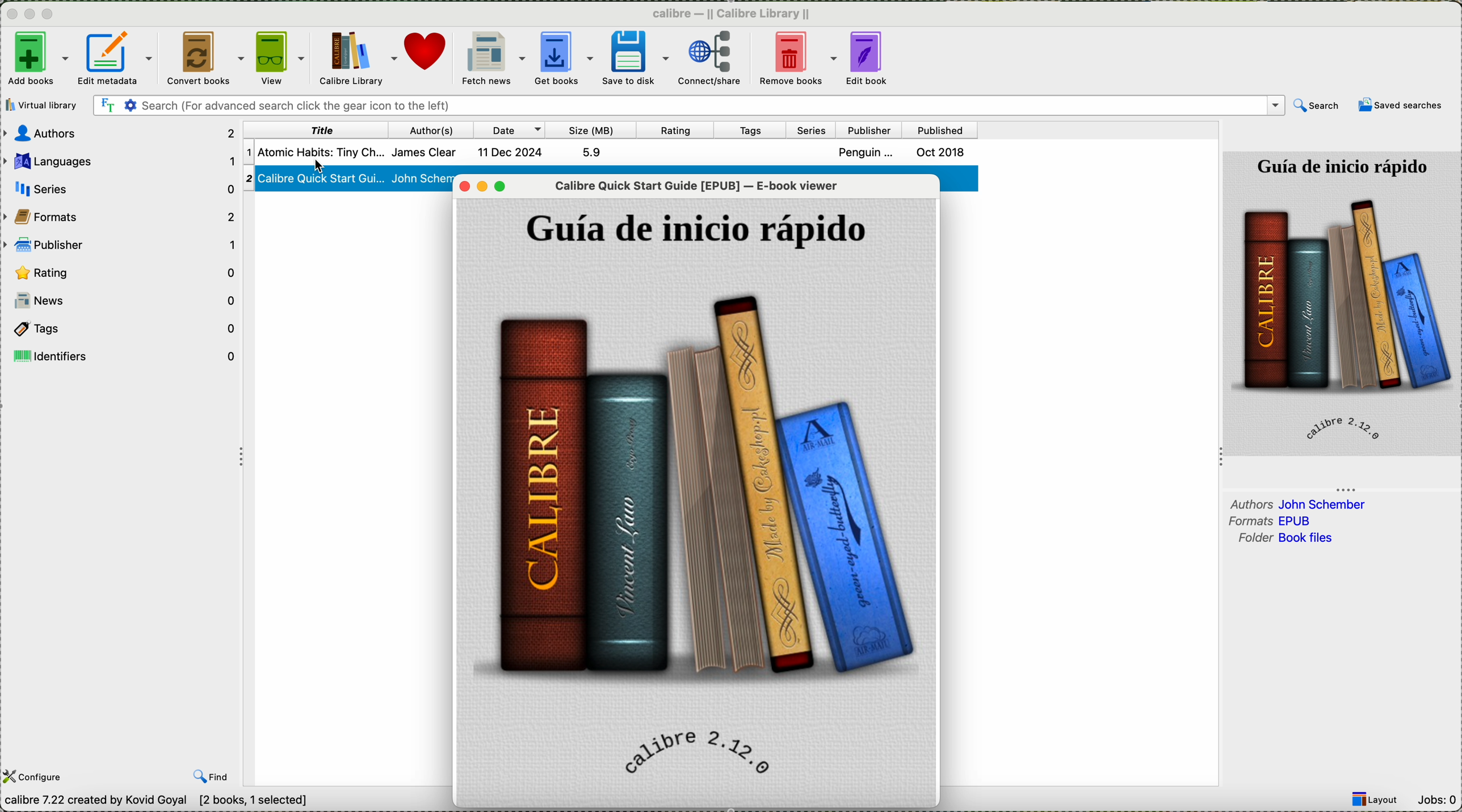 Image resolution: width=1462 pixels, height=812 pixels. I want to click on saved searches, so click(1401, 106).